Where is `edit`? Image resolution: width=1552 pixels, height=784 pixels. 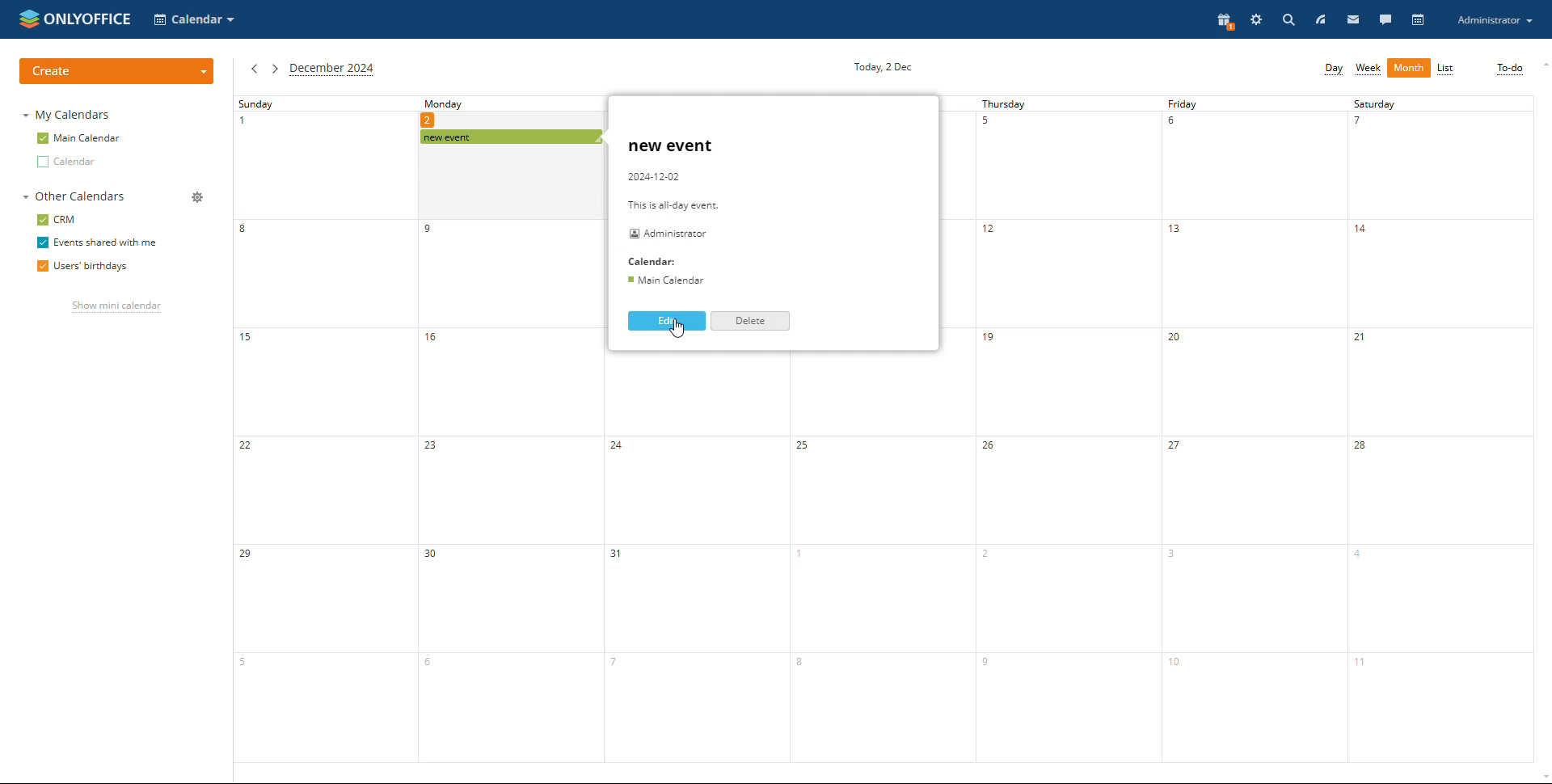 edit is located at coordinates (666, 321).